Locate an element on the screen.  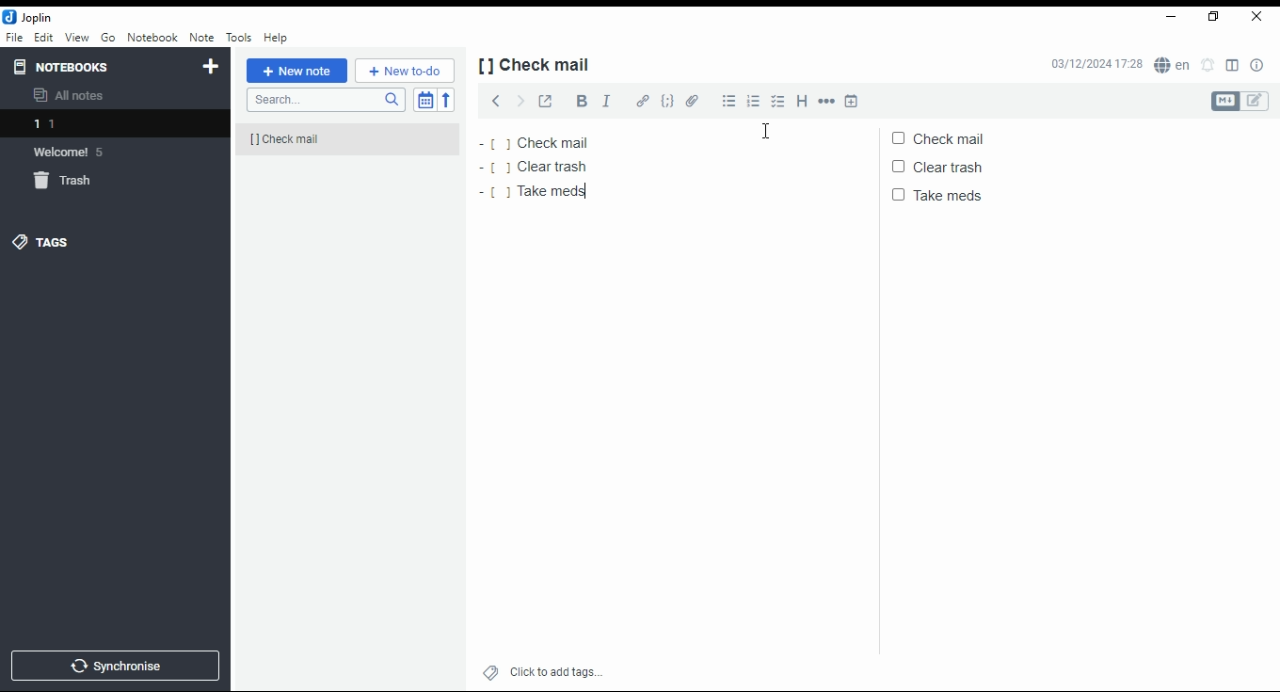
New to-do is located at coordinates (405, 70).